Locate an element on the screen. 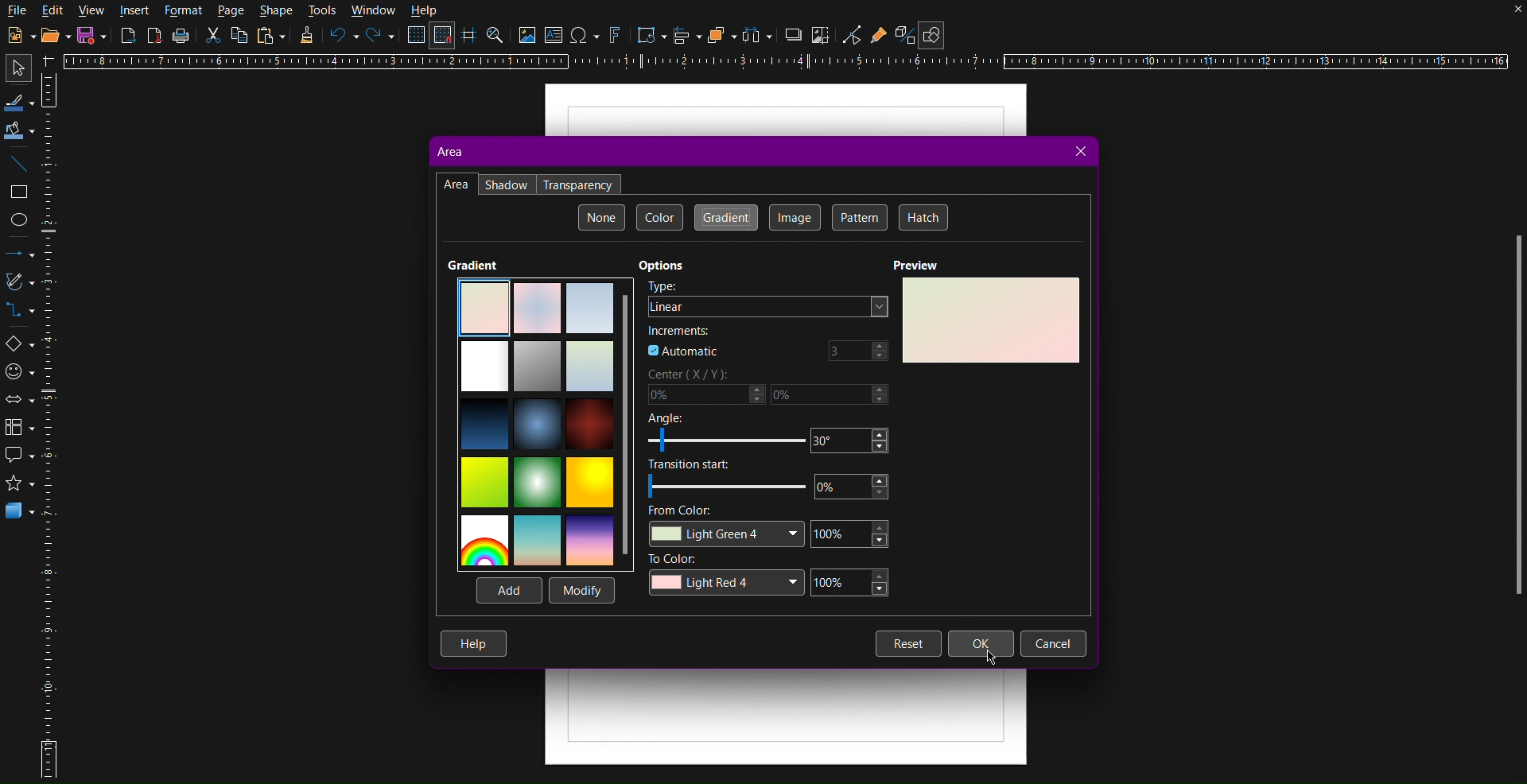 The height and width of the screenshot is (784, 1527). Zoom and Pan is located at coordinates (497, 37).